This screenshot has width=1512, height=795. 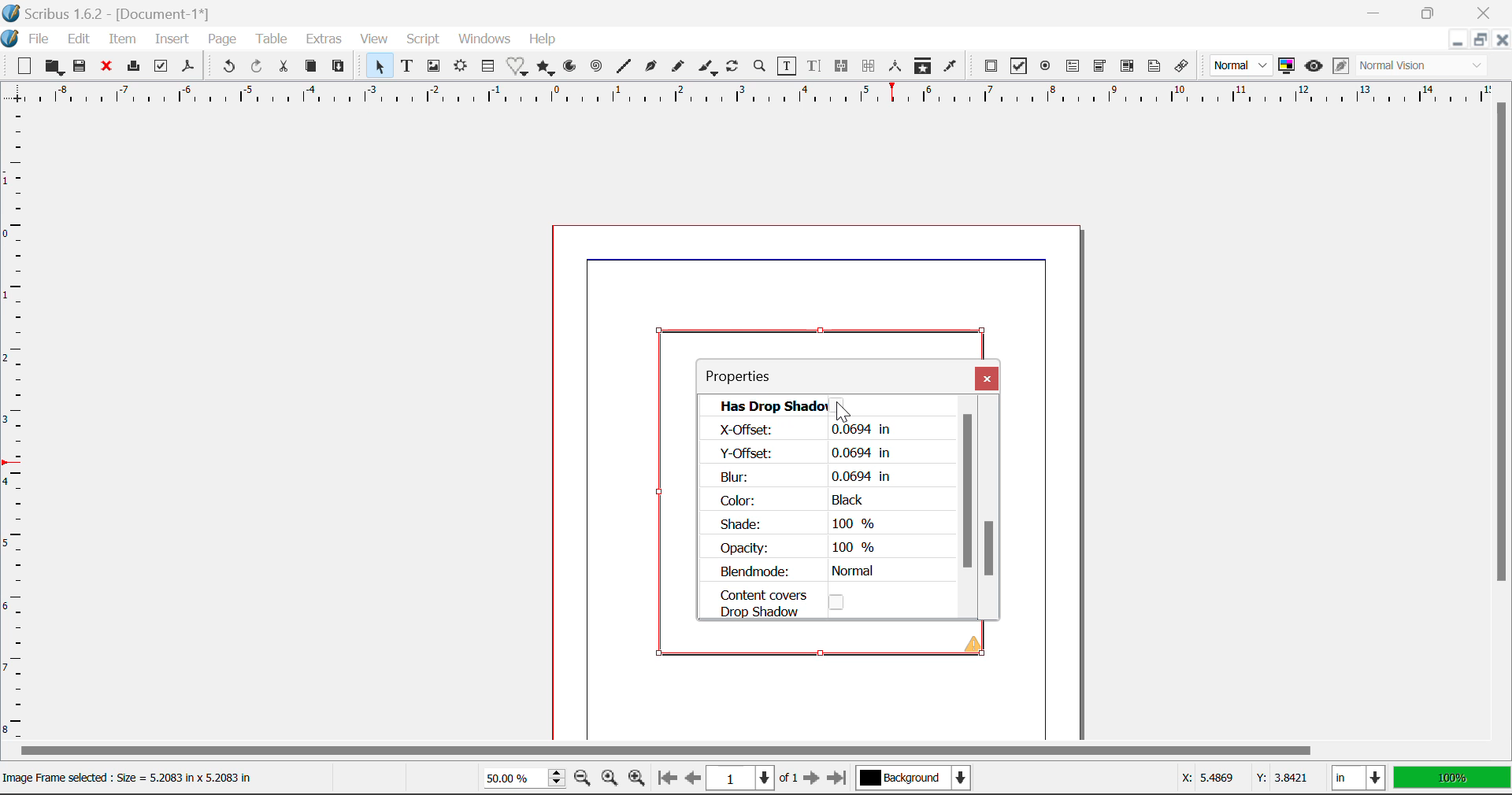 What do you see at coordinates (408, 67) in the screenshot?
I see `Text Frame` at bounding box center [408, 67].